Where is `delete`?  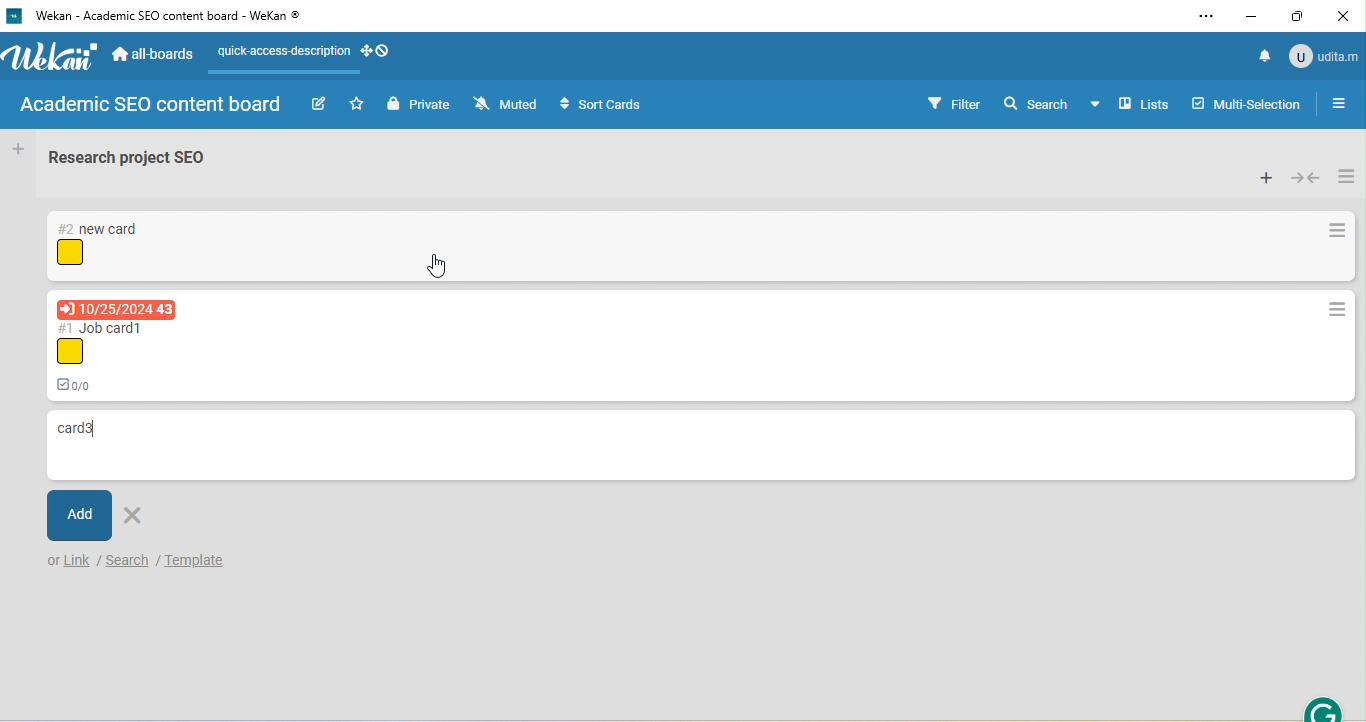 delete is located at coordinates (138, 513).